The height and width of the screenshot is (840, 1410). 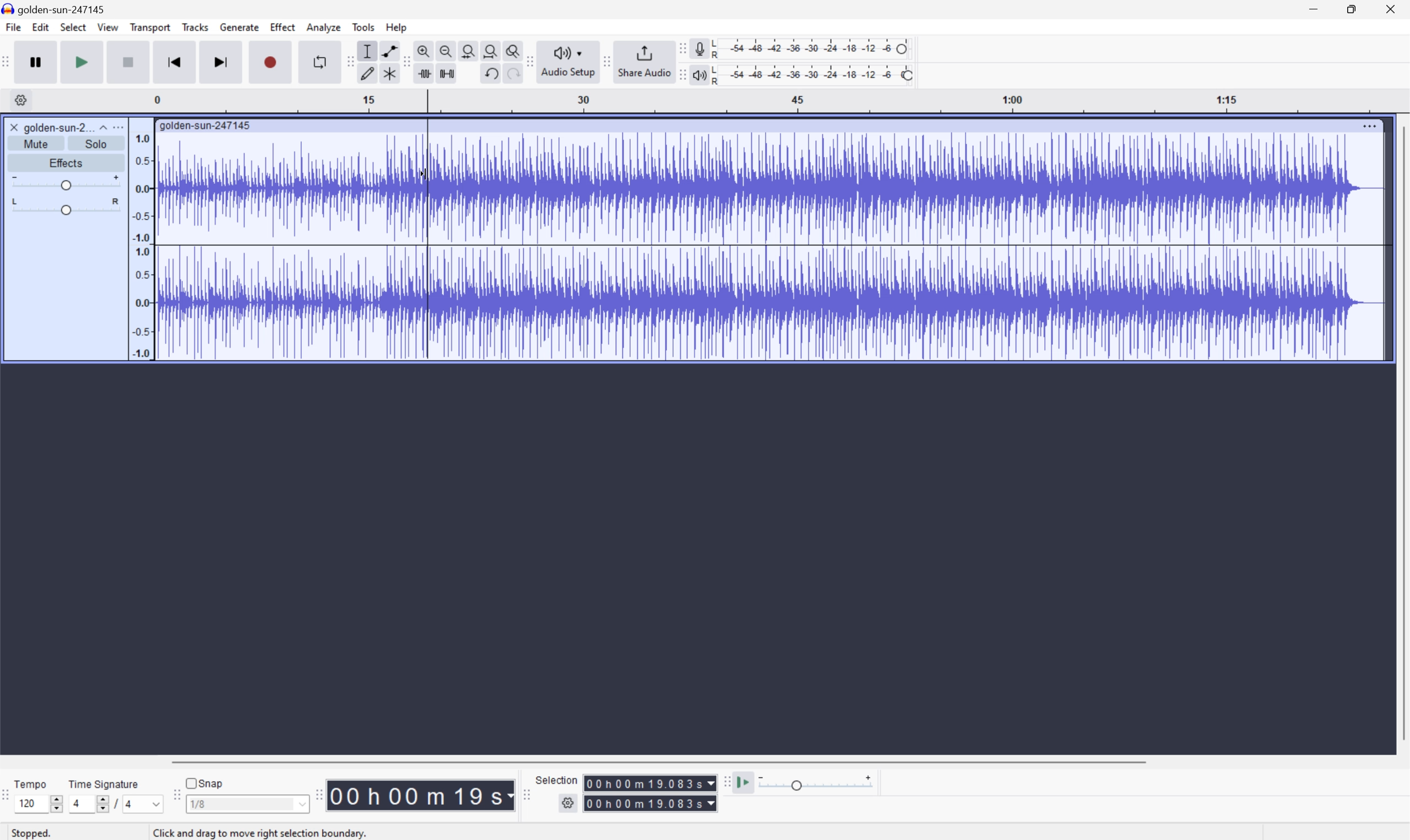 I want to click on Audio, so click(x=770, y=244).